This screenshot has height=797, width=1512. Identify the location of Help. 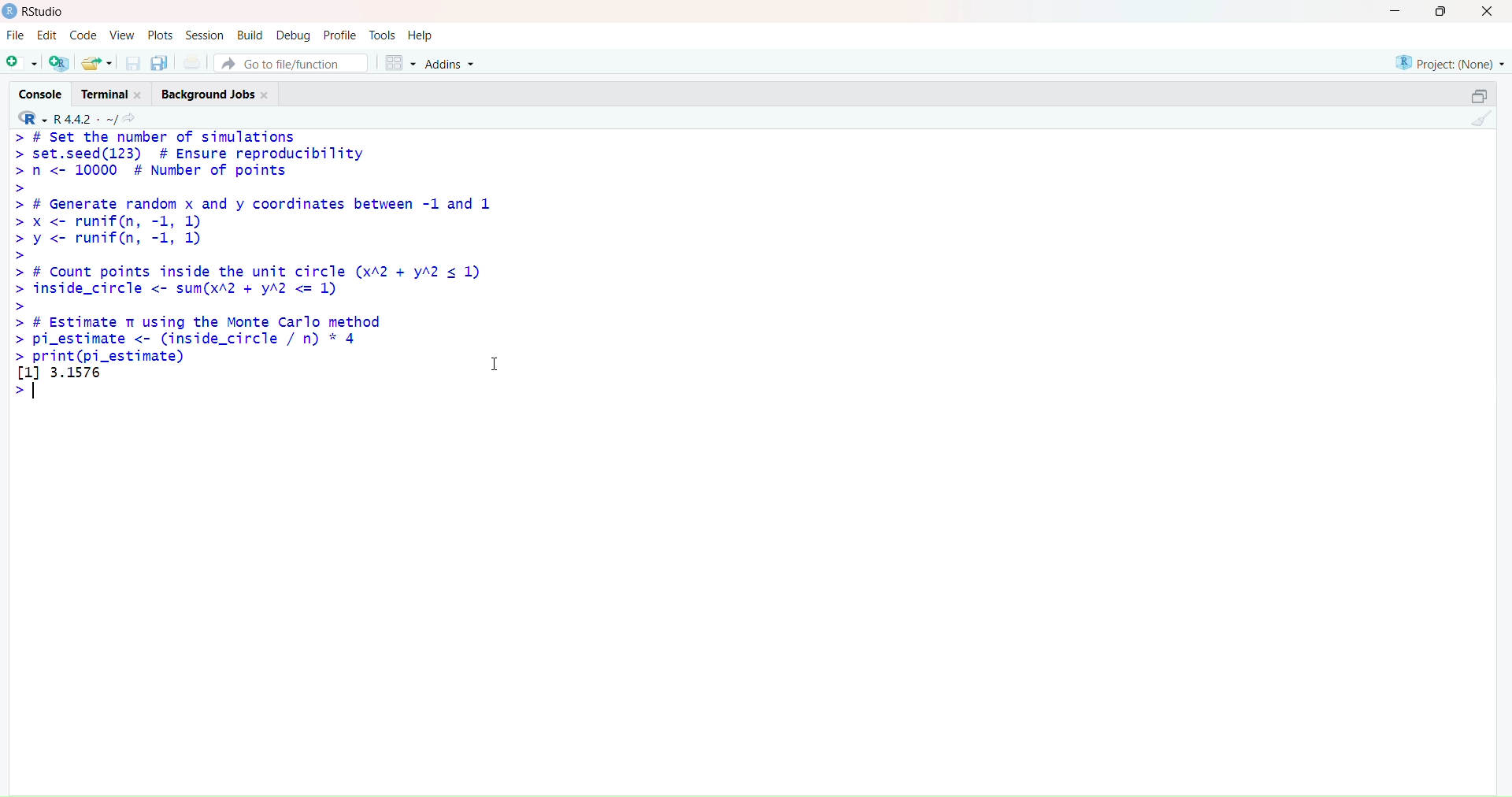
(424, 34).